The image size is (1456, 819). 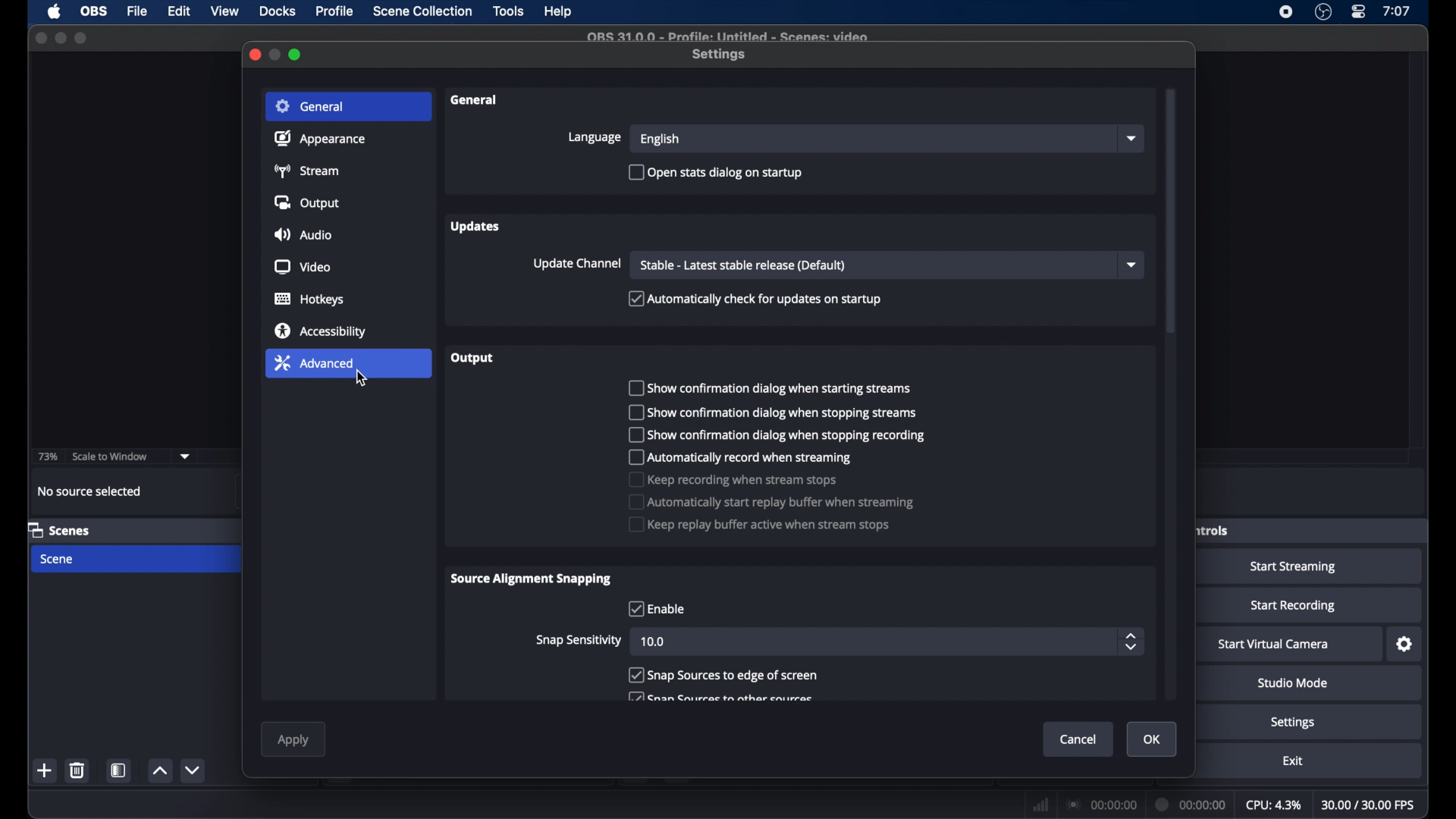 I want to click on start virtual camera, so click(x=1273, y=645).